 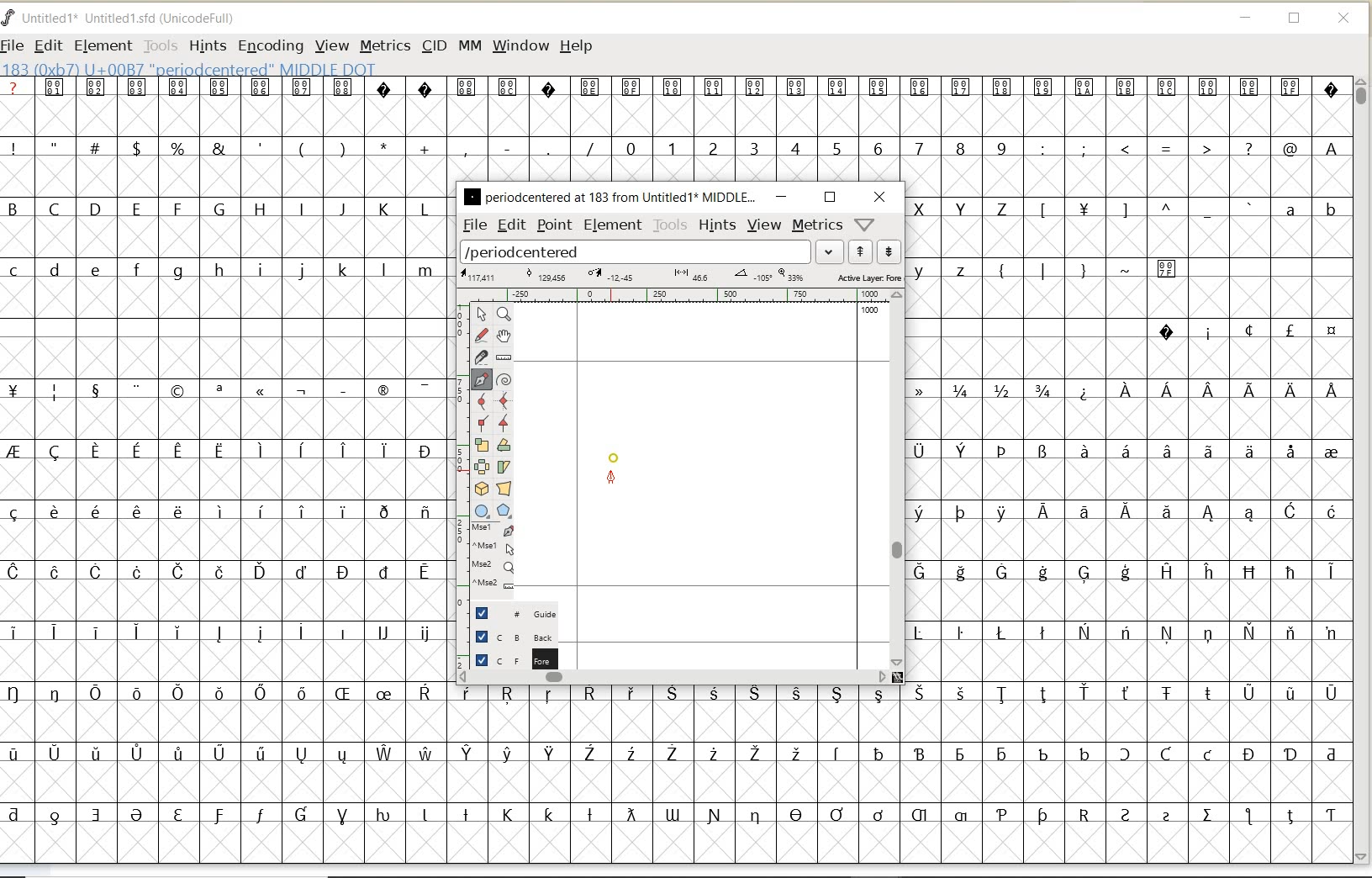 I want to click on scale the selection, so click(x=480, y=446).